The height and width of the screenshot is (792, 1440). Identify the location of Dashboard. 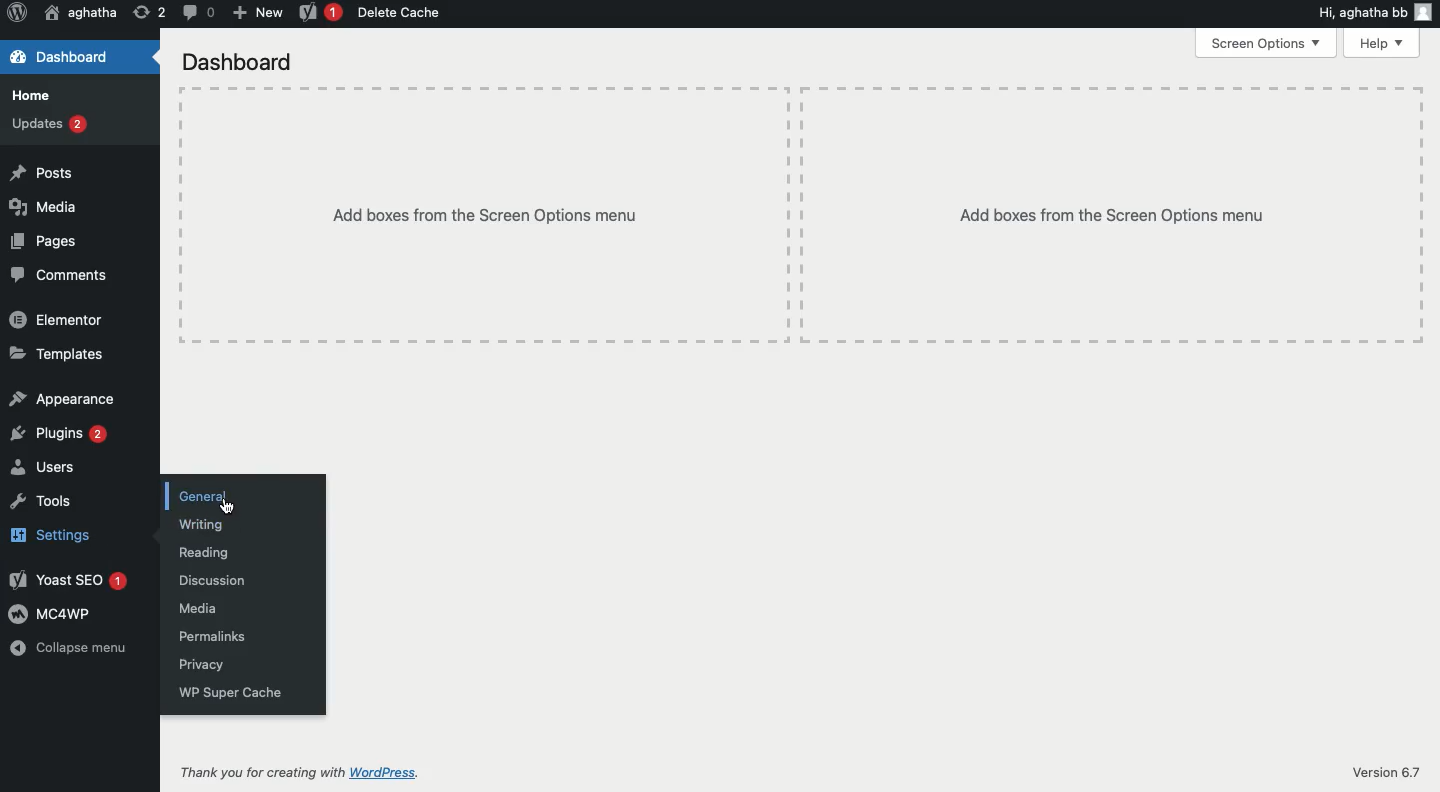
(237, 63).